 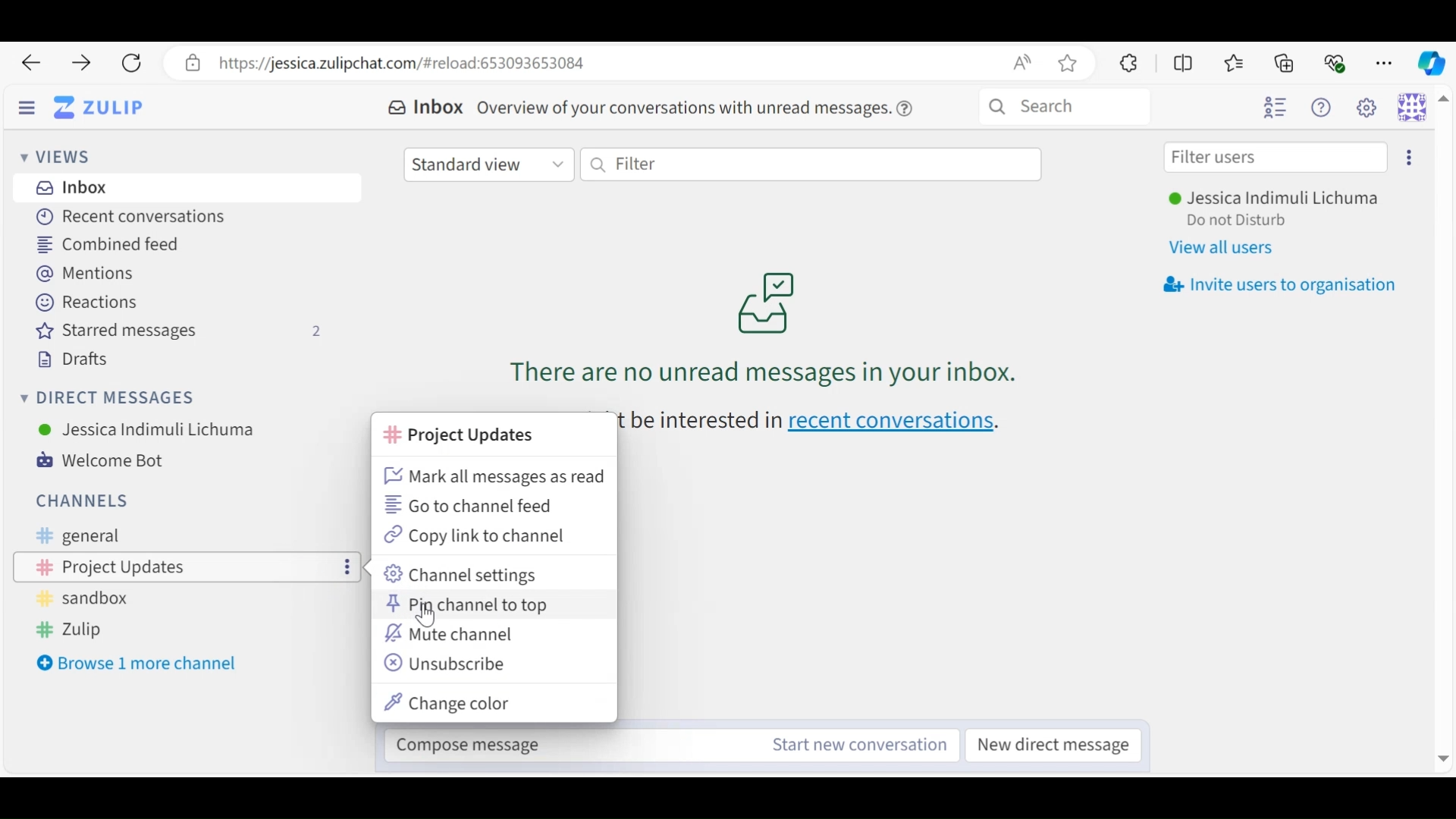 I want to click on Start new conversations, so click(x=854, y=745).